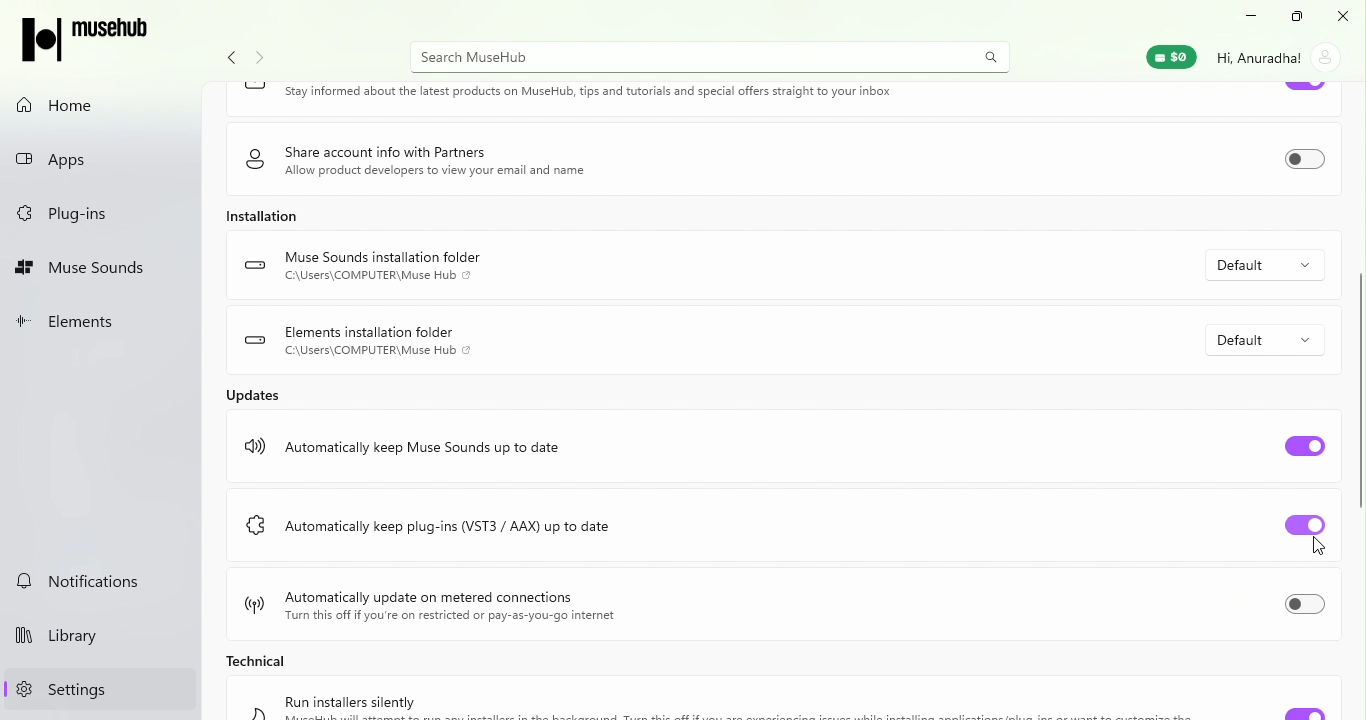  Describe the element at coordinates (252, 602) in the screenshot. I see `logo` at that location.